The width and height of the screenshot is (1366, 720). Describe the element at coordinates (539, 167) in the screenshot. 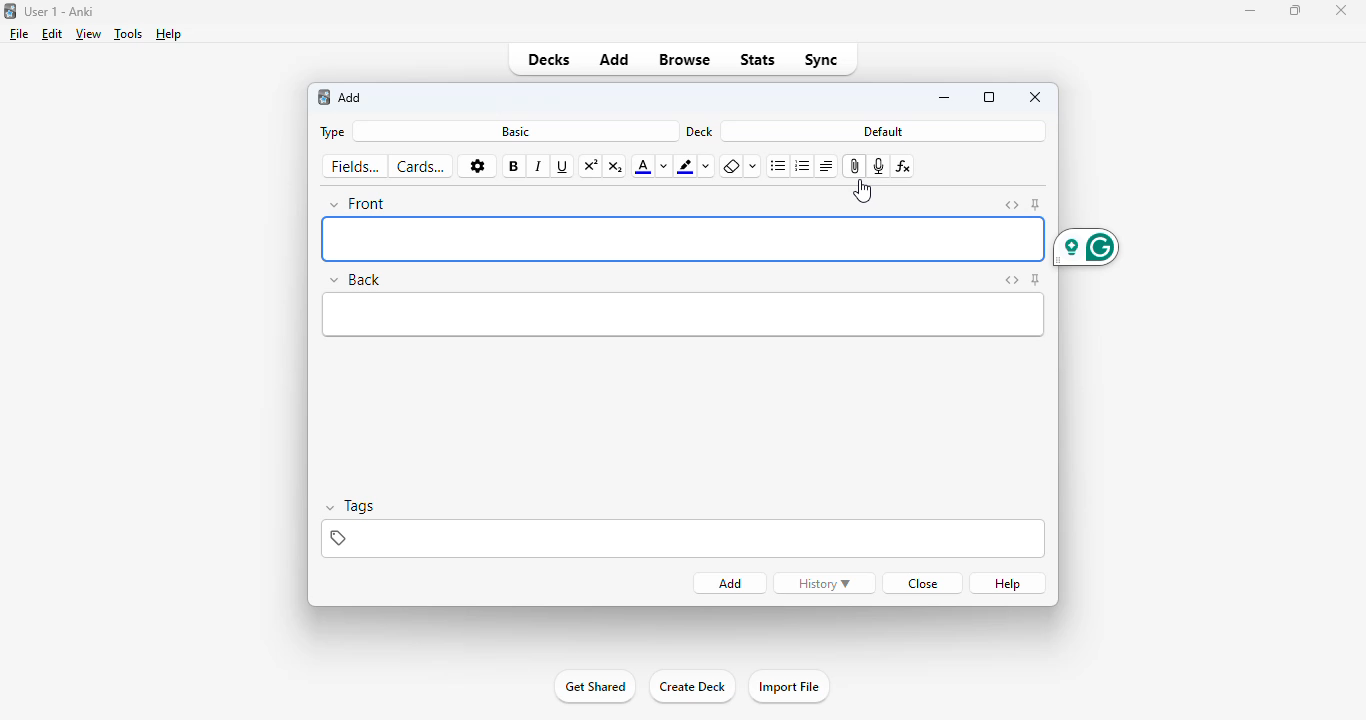

I see `italic` at that location.